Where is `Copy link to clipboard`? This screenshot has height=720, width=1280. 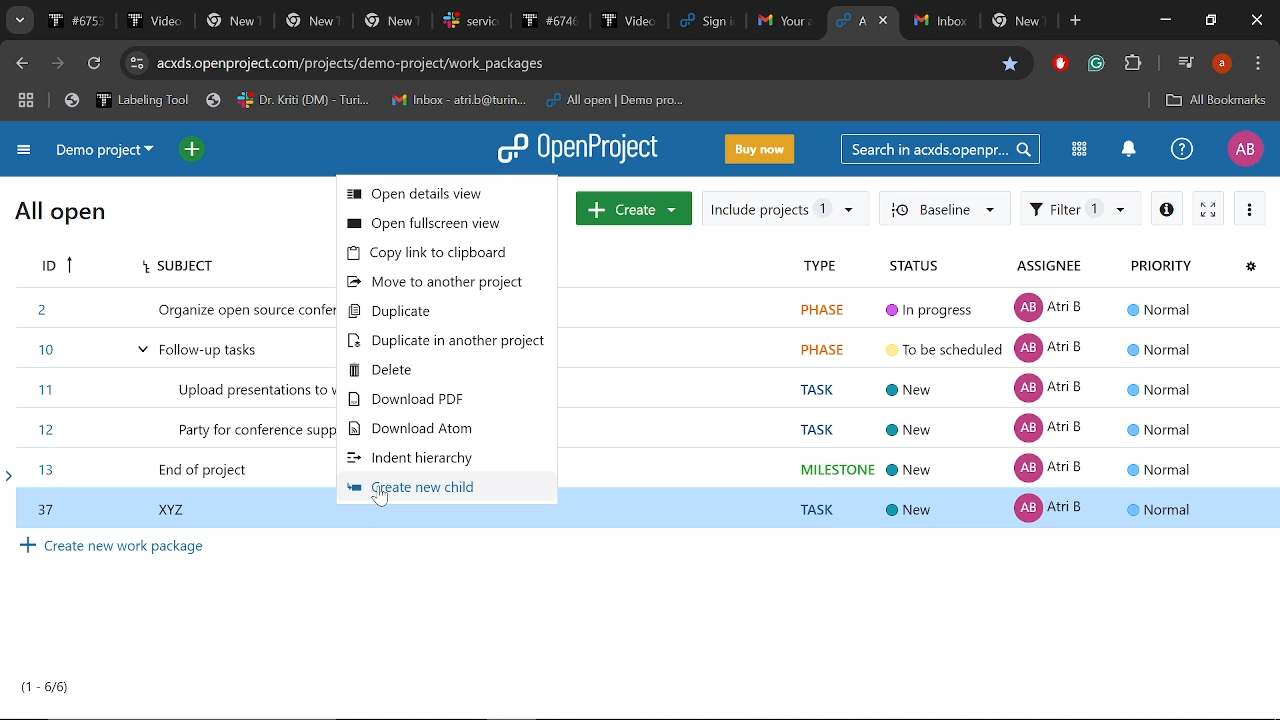
Copy link to clipboard is located at coordinates (446, 254).